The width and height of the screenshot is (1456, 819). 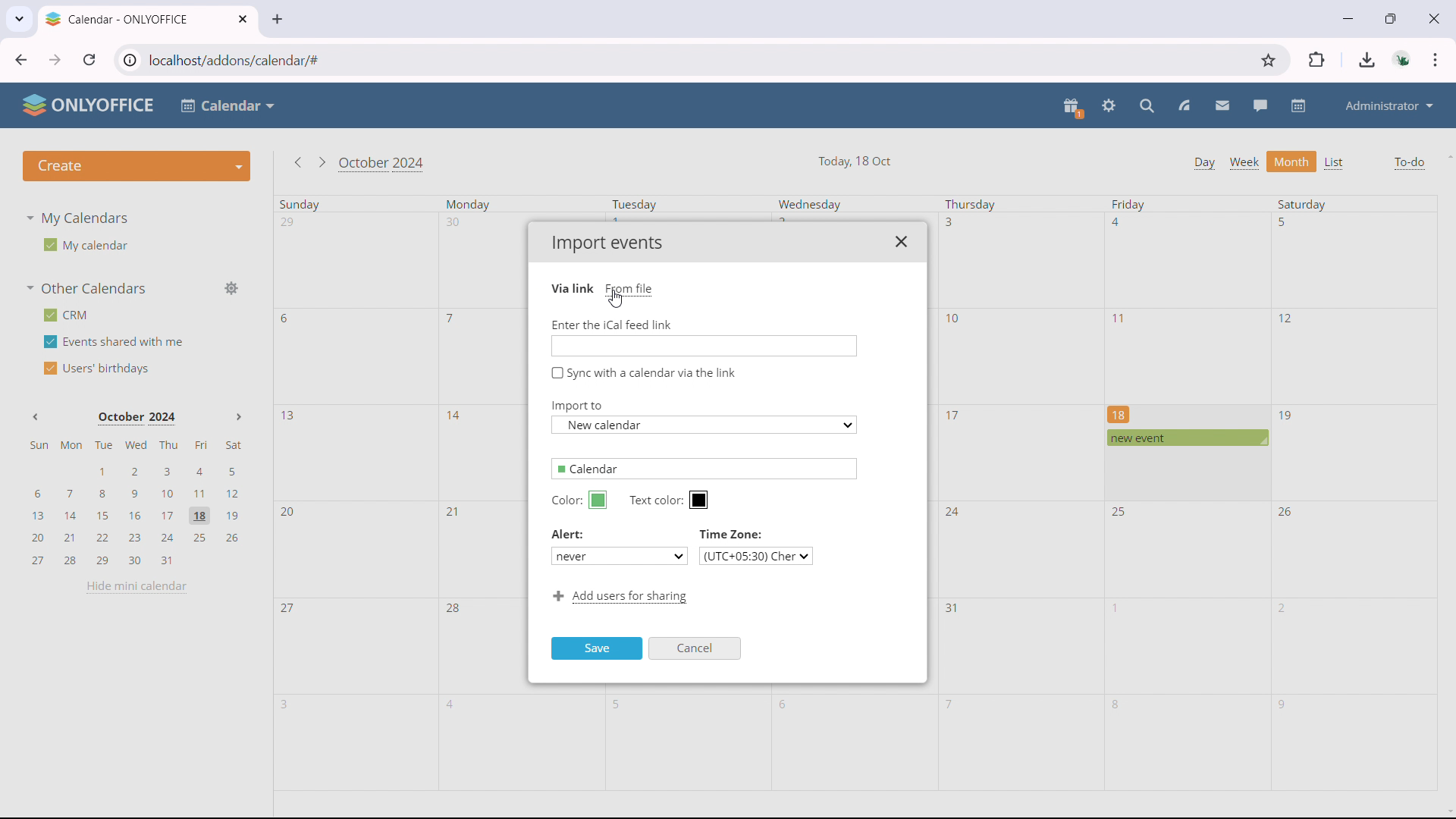 What do you see at coordinates (567, 534) in the screenshot?
I see `Alert:` at bounding box center [567, 534].